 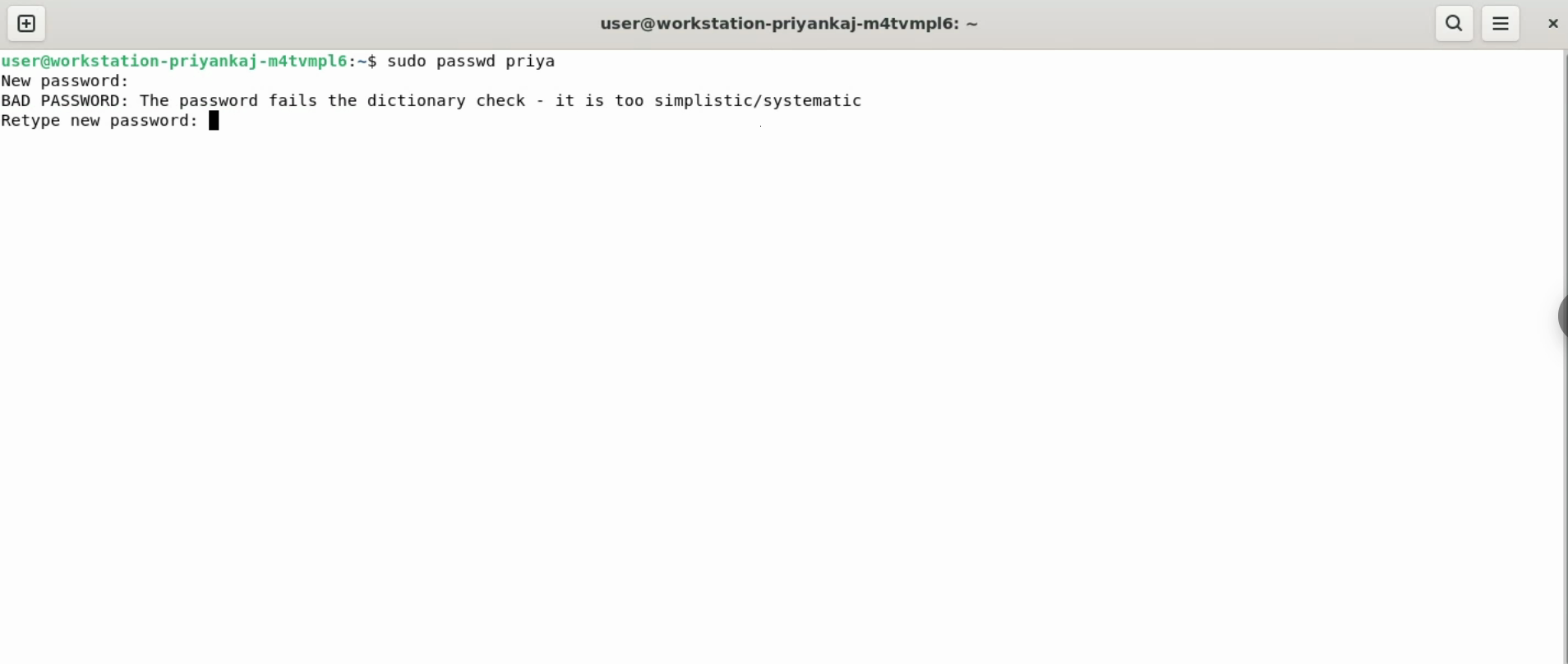 I want to click on BAD PASSWORD: The password fails the dictionary check - it is too simplistic/systematic, so click(x=437, y=102).